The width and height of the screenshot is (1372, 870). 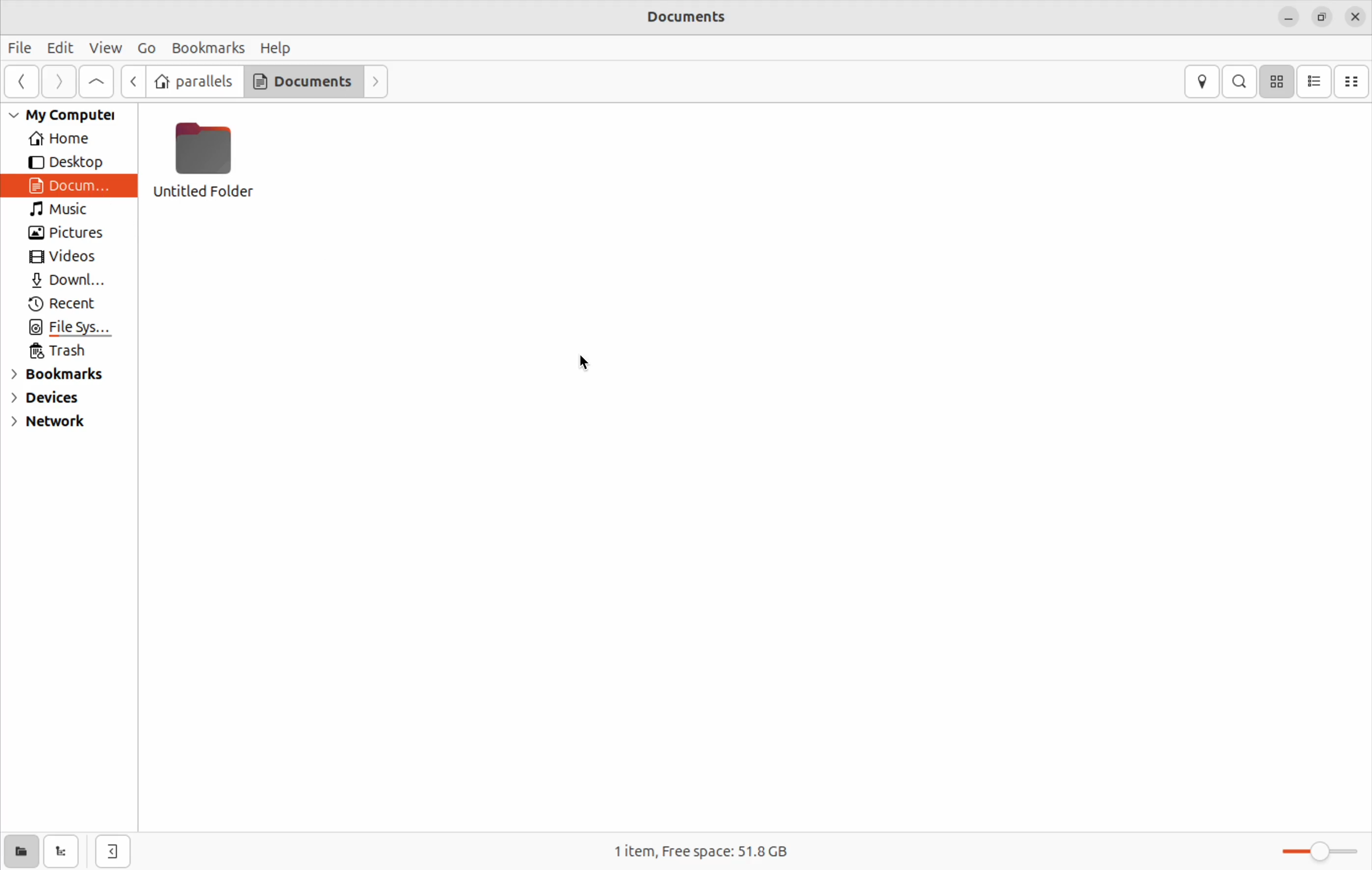 What do you see at coordinates (52, 422) in the screenshot?
I see `network` at bounding box center [52, 422].